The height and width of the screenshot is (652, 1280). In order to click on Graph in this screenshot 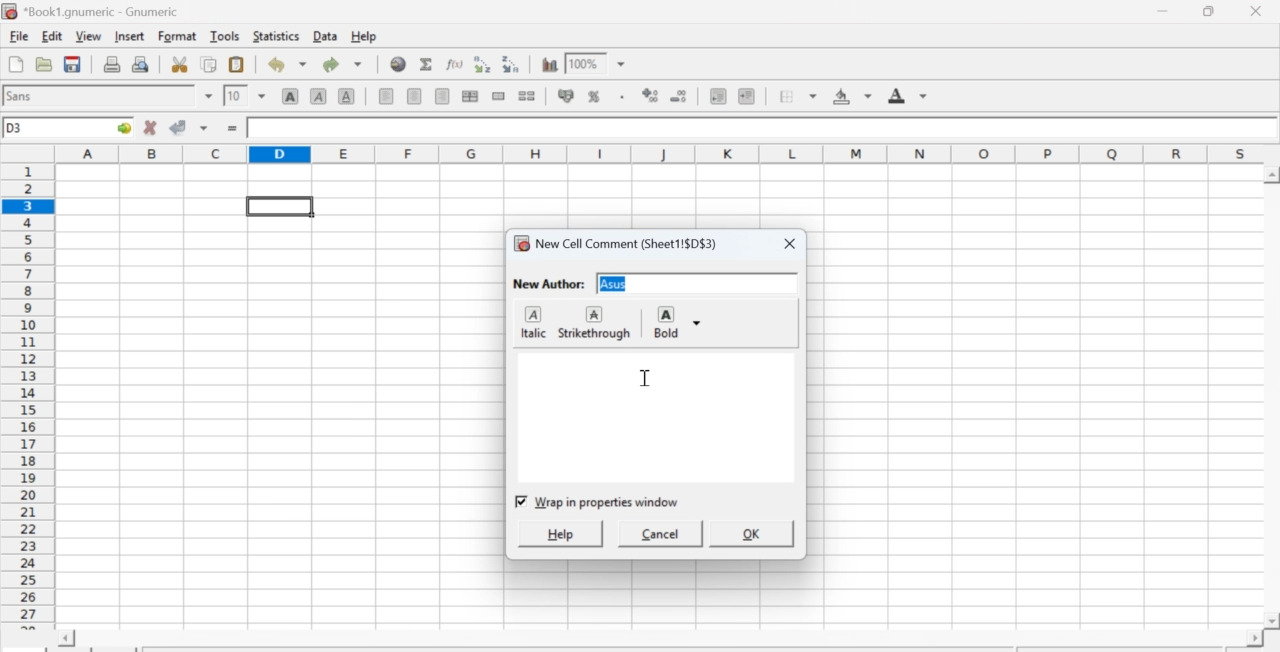, I will do `click(550, 63)`.